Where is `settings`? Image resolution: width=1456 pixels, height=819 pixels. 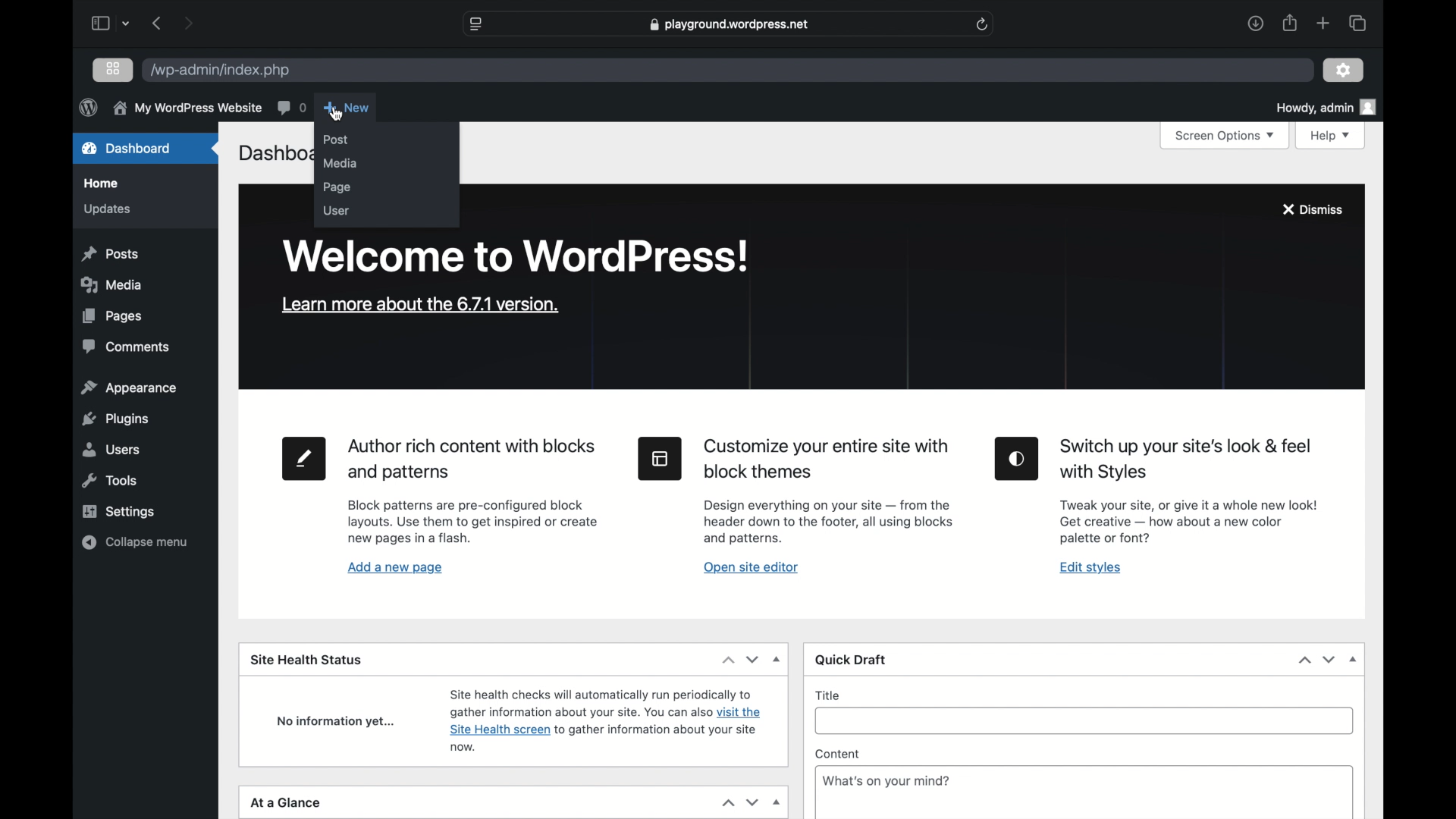 settings is located at coordinates (118, 511).